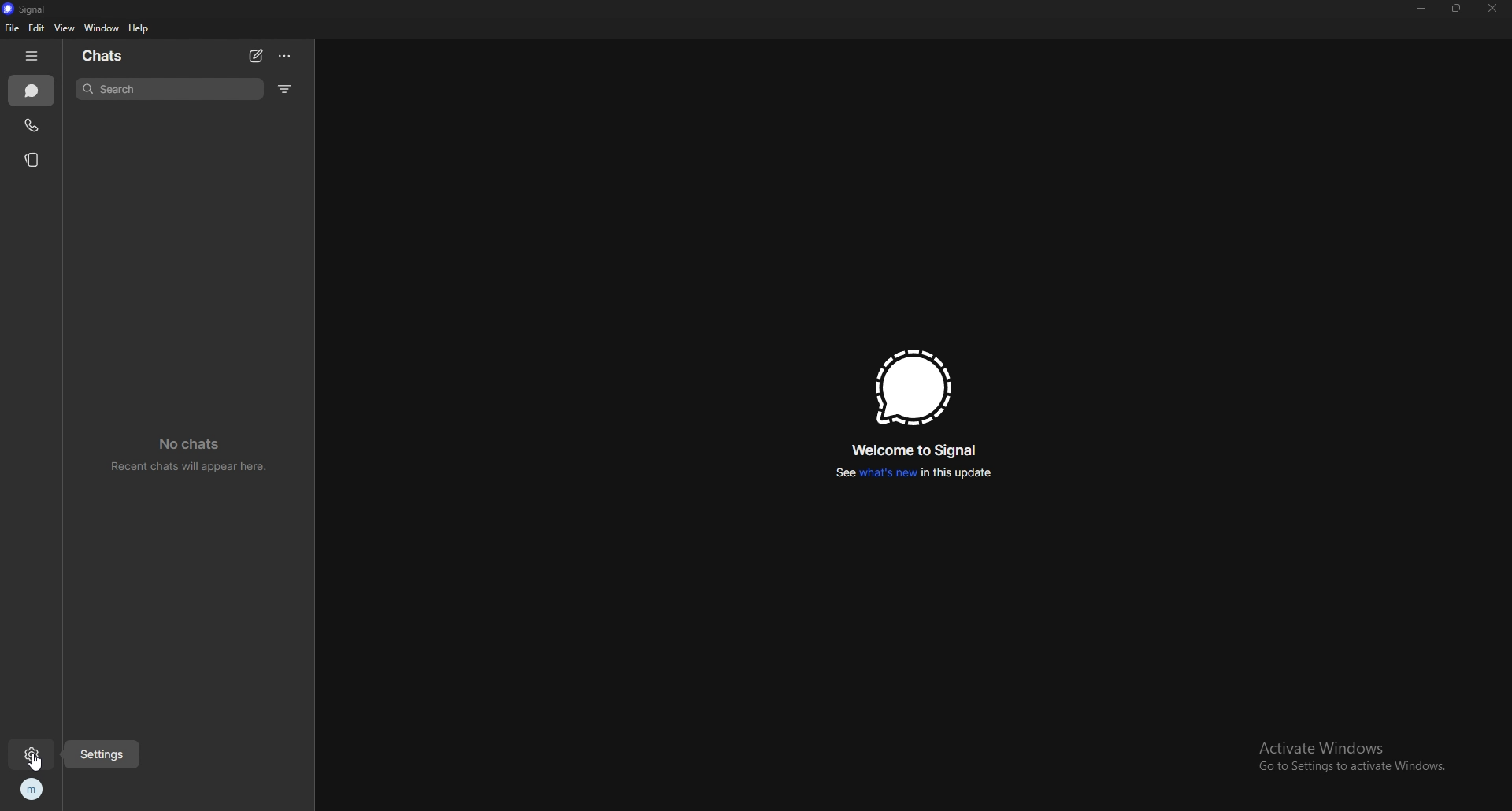 The width and height of the screenshot is (1512, 811). I want to click on welcome to signal, so click(919, 450).